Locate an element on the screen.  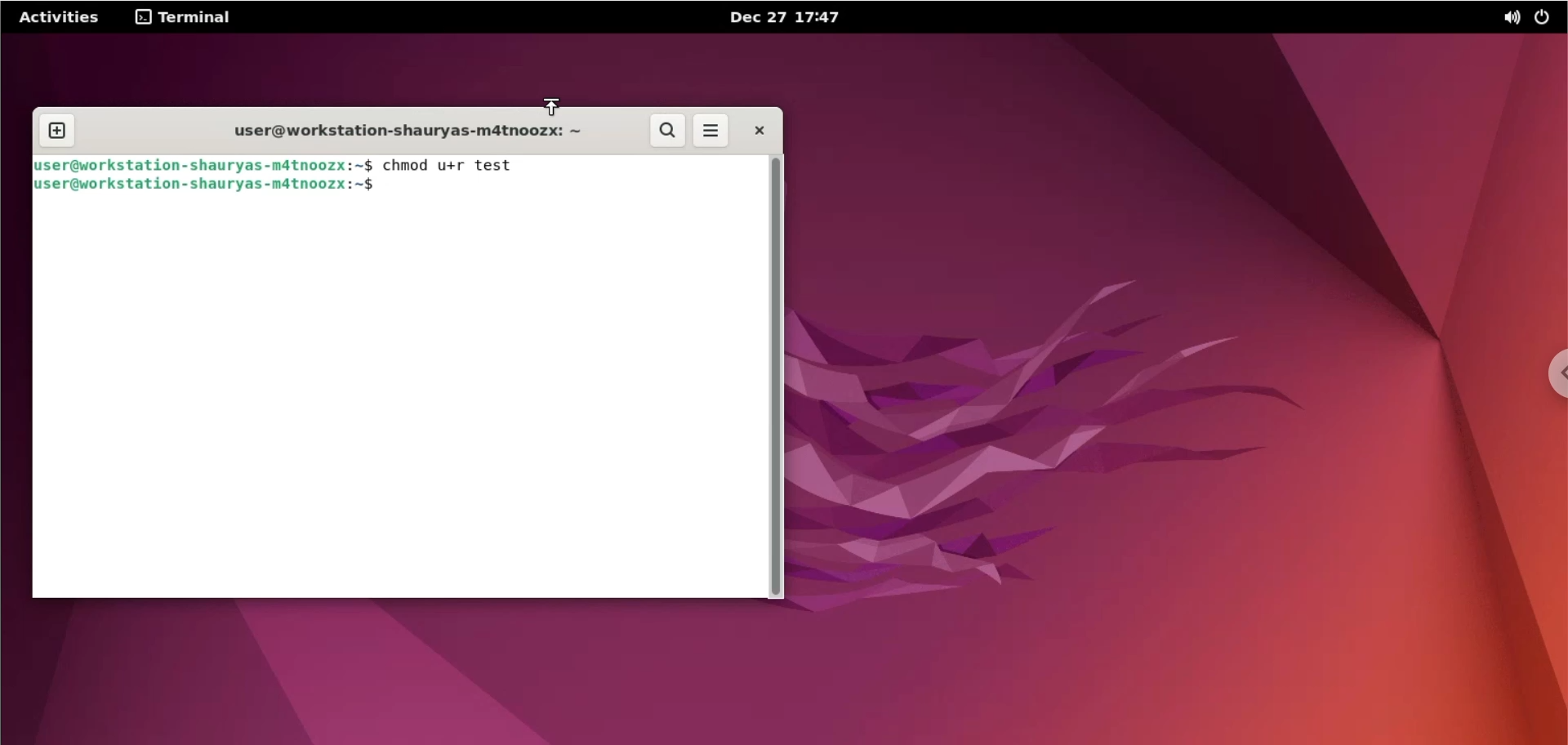
new tab is located at coordinates (56, 131).